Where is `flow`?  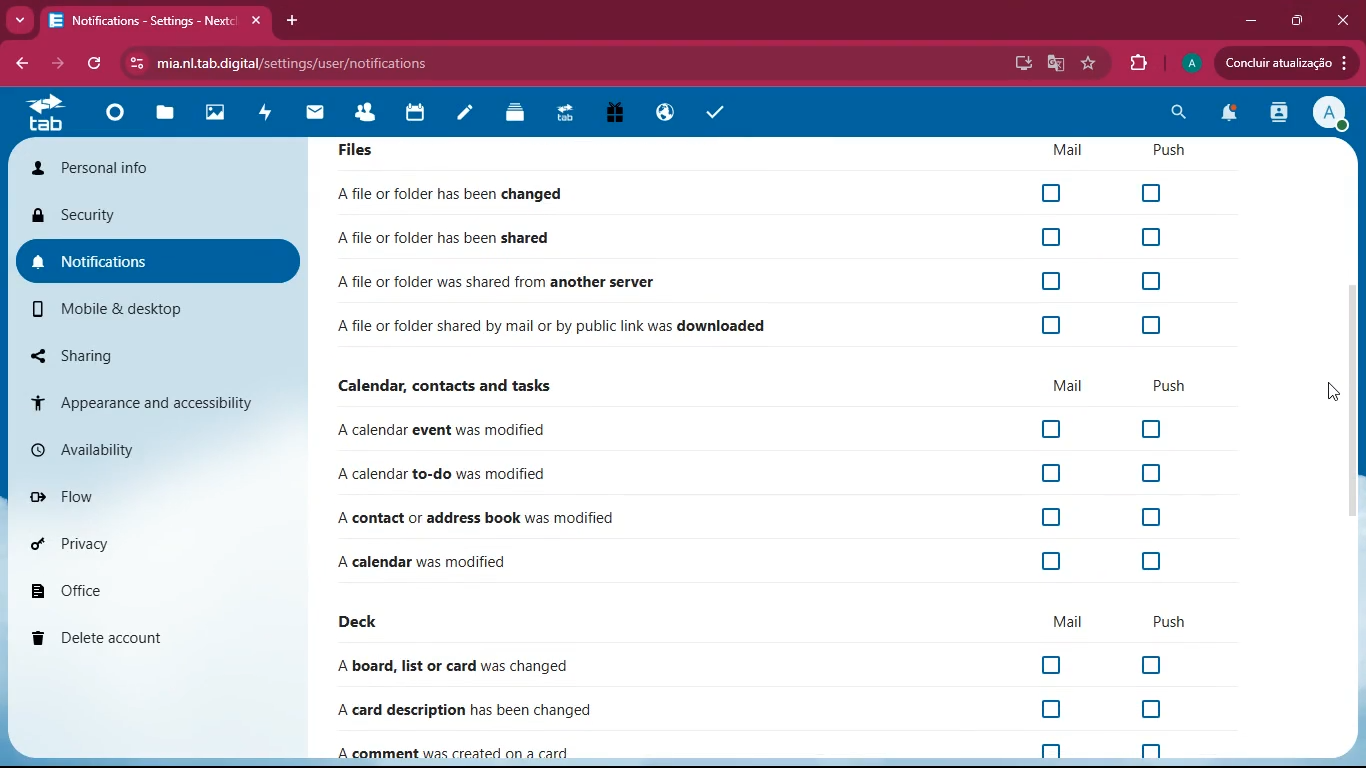 flow is located at coordinates (142, 496).